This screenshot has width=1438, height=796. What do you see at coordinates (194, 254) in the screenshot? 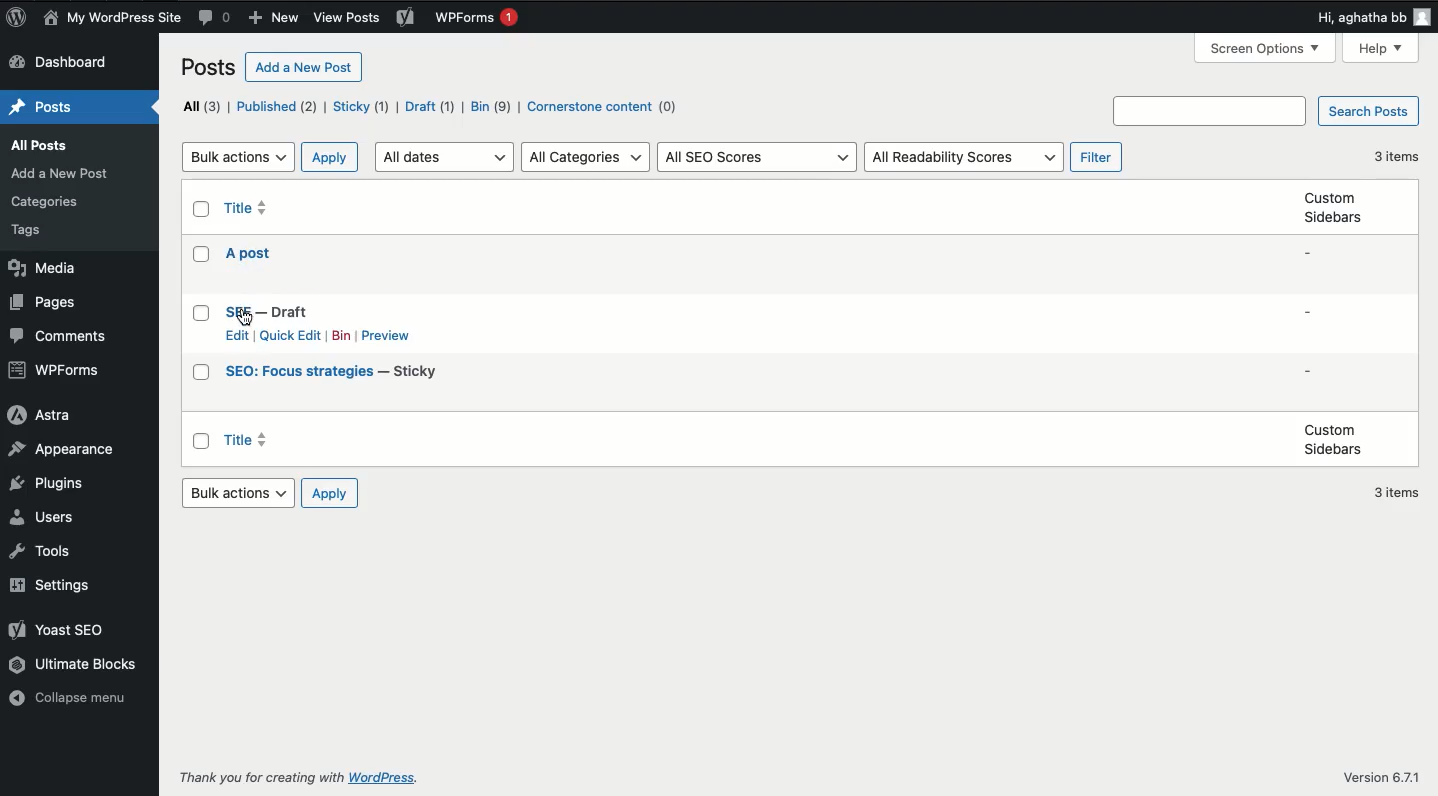
I see `Checkbox` at bounding box center [194, 254].